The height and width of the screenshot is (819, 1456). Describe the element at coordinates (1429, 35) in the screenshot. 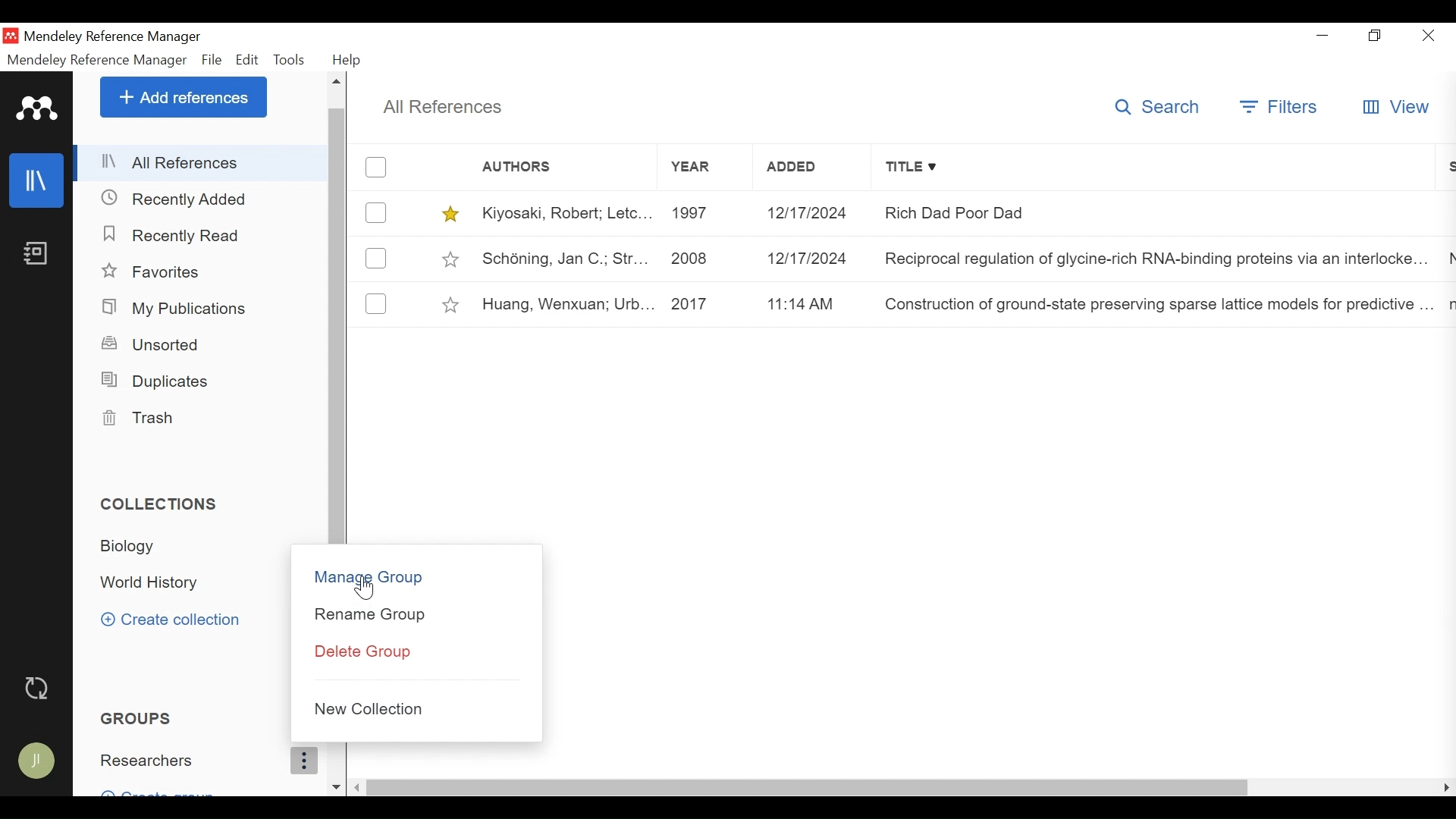

I see `Close` at that location.